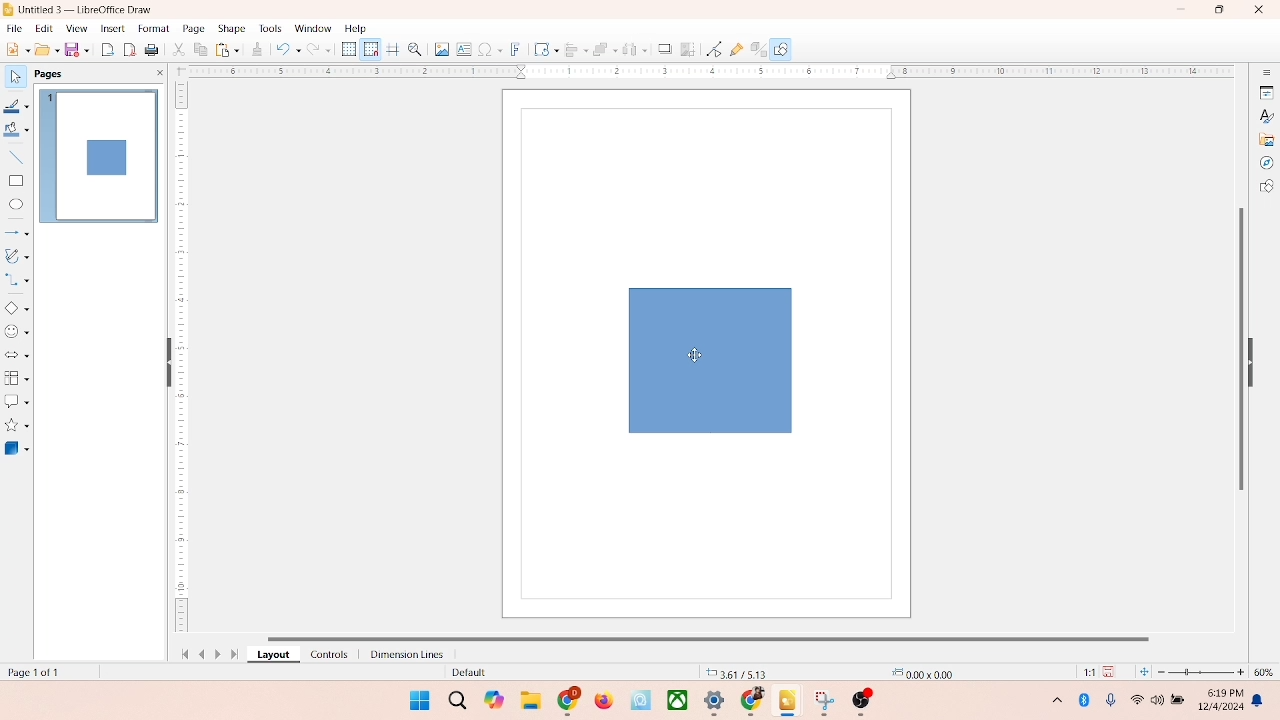 Image resolution: width=1280 pixels, height=720 pixels. I want to click on image, so click(439, 49).